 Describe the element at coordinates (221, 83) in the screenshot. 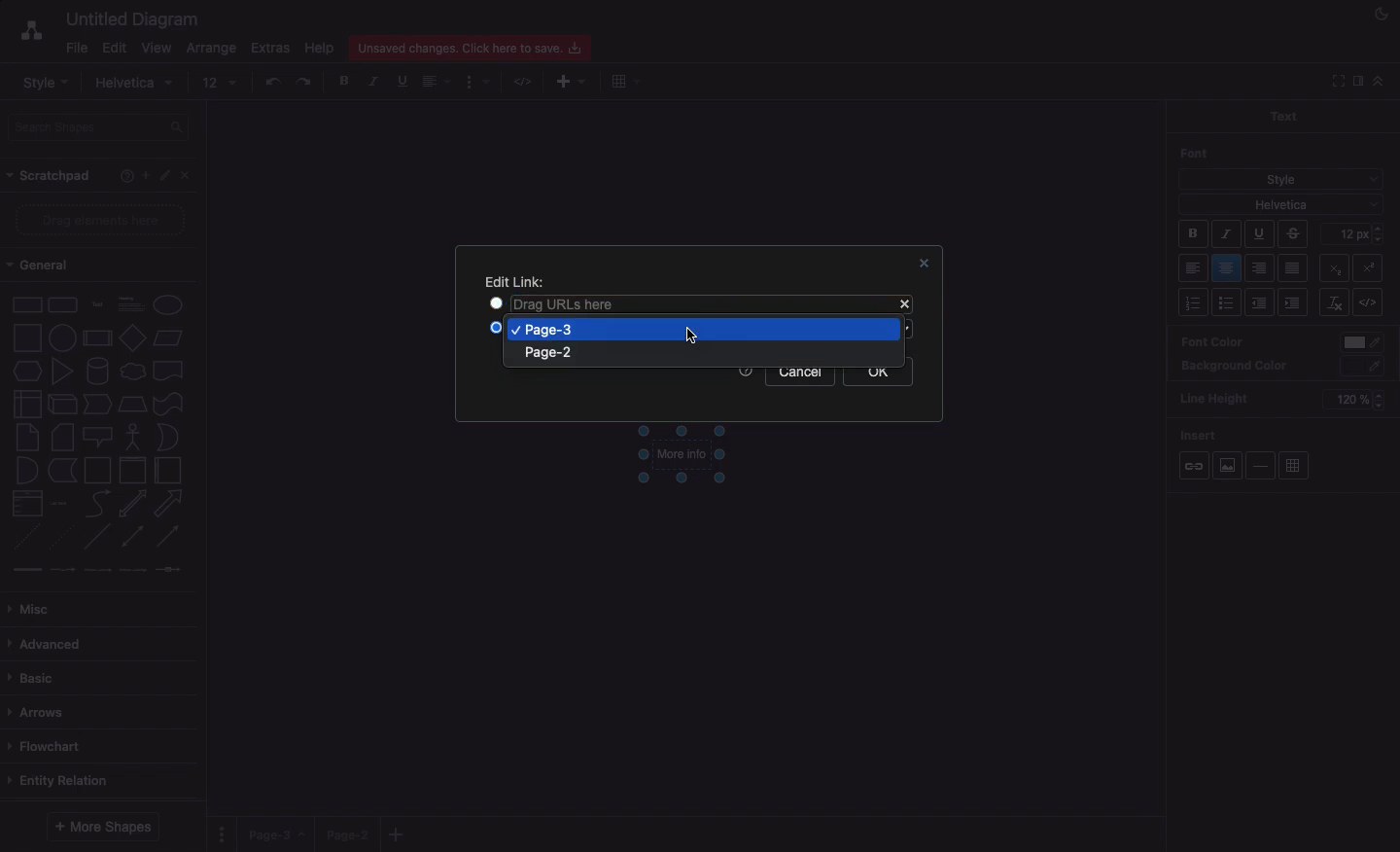

I see `12` at that location.